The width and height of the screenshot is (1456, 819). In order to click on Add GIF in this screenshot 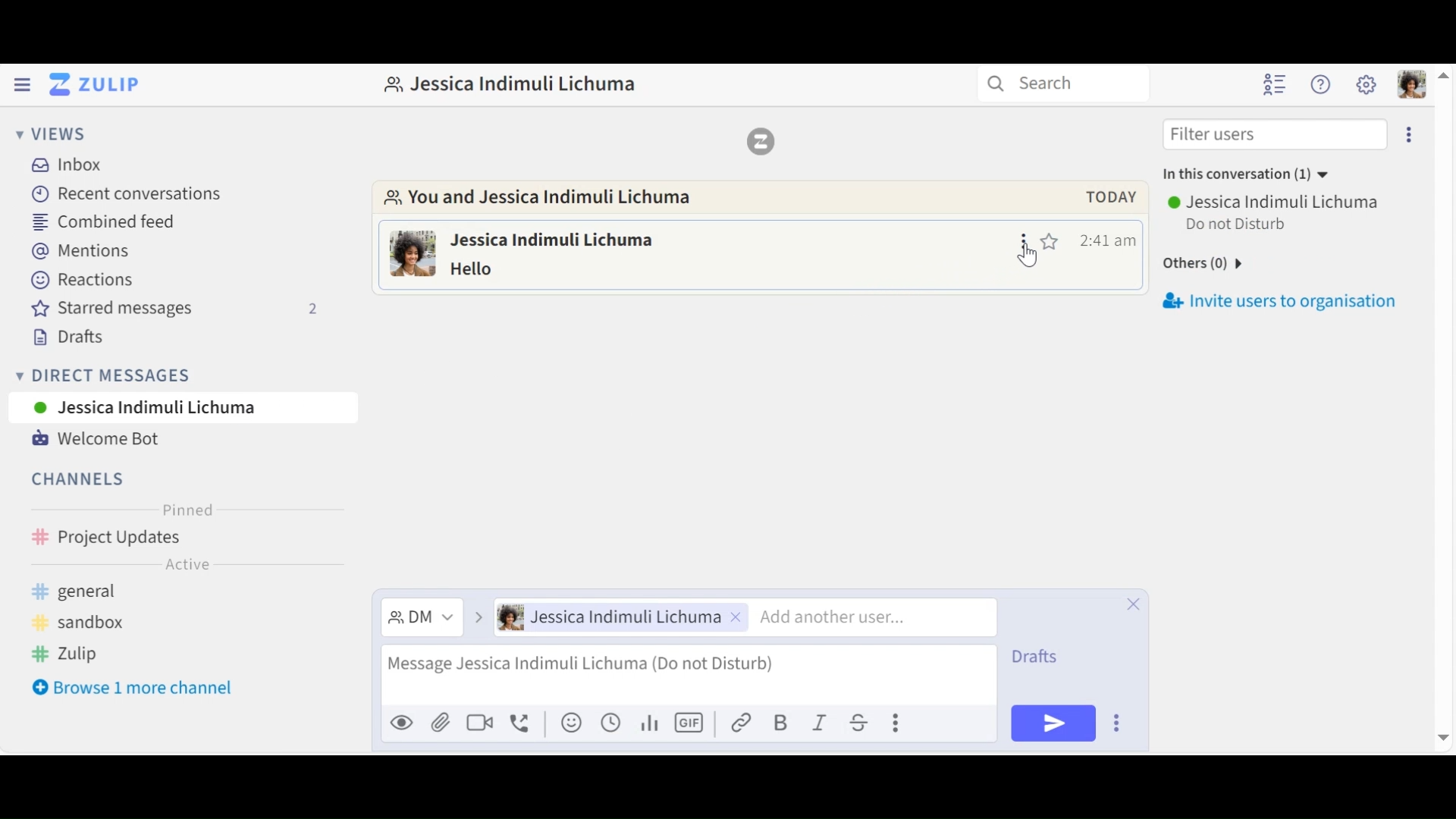, I will do `click(689, 721)`.